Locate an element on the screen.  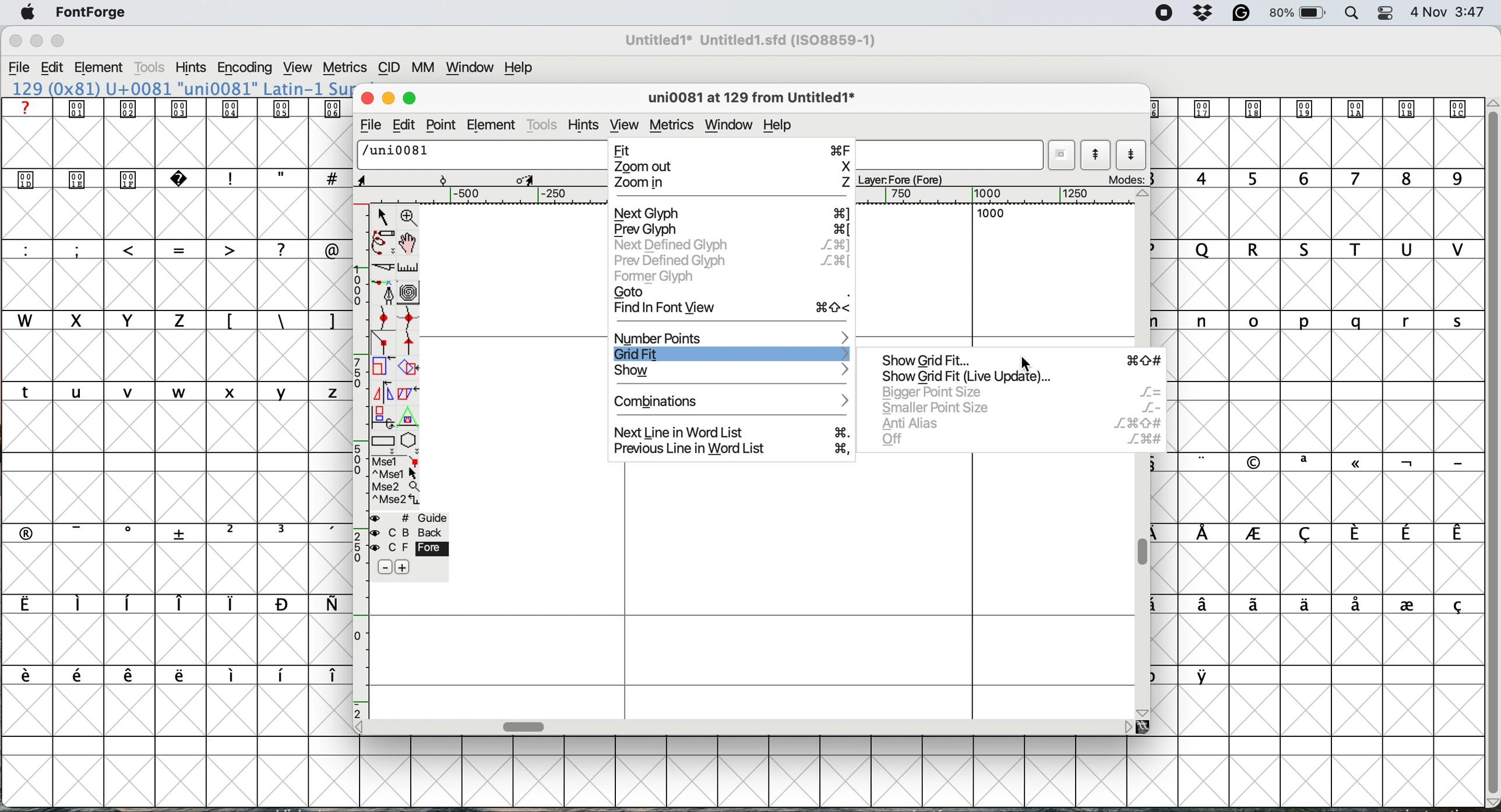
prev defined glyph is located at coordinates (732, 259).